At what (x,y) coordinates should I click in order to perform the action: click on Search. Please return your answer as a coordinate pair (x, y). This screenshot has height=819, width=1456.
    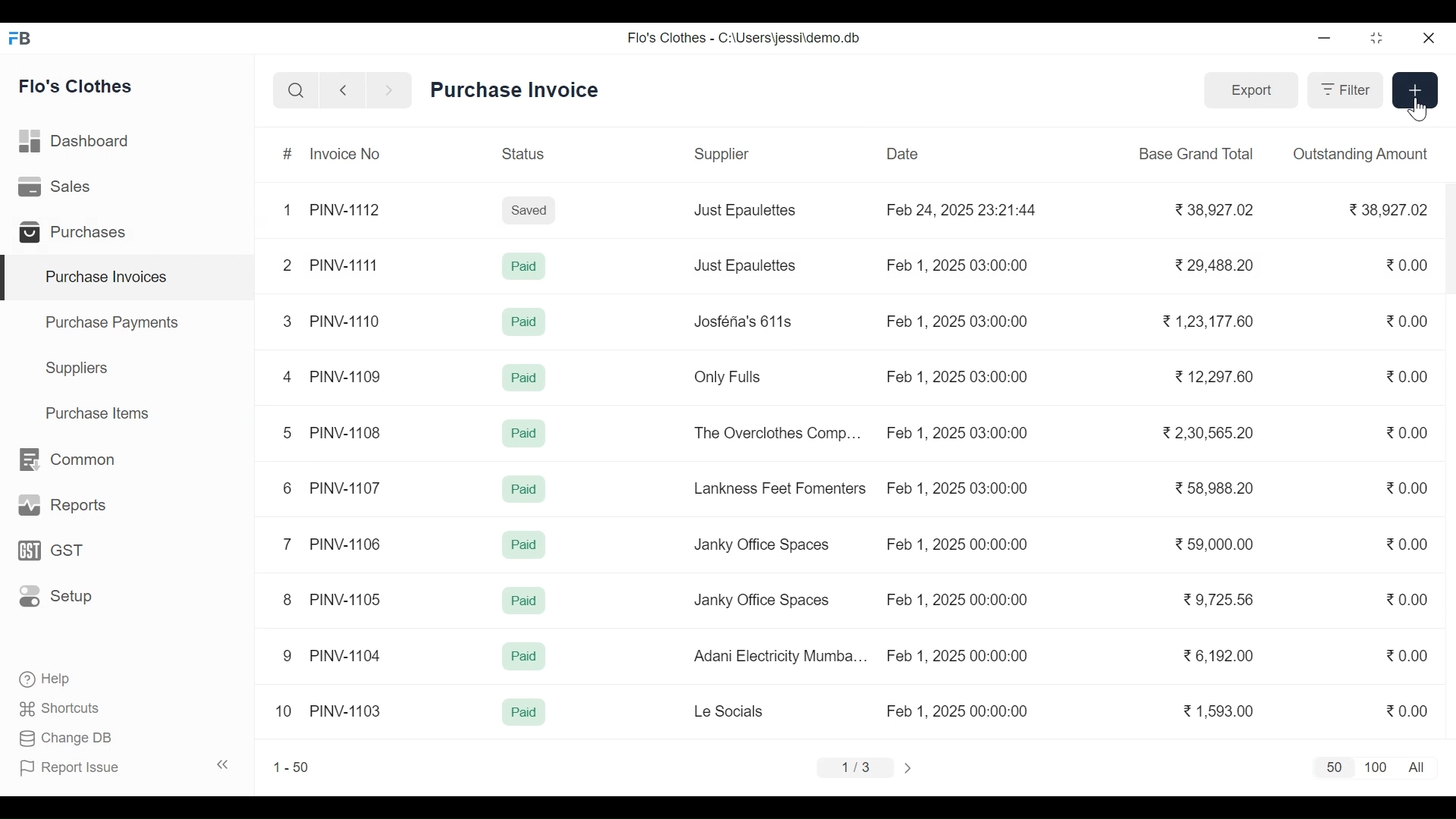
    Looking at the image, I should click on (297, 90).